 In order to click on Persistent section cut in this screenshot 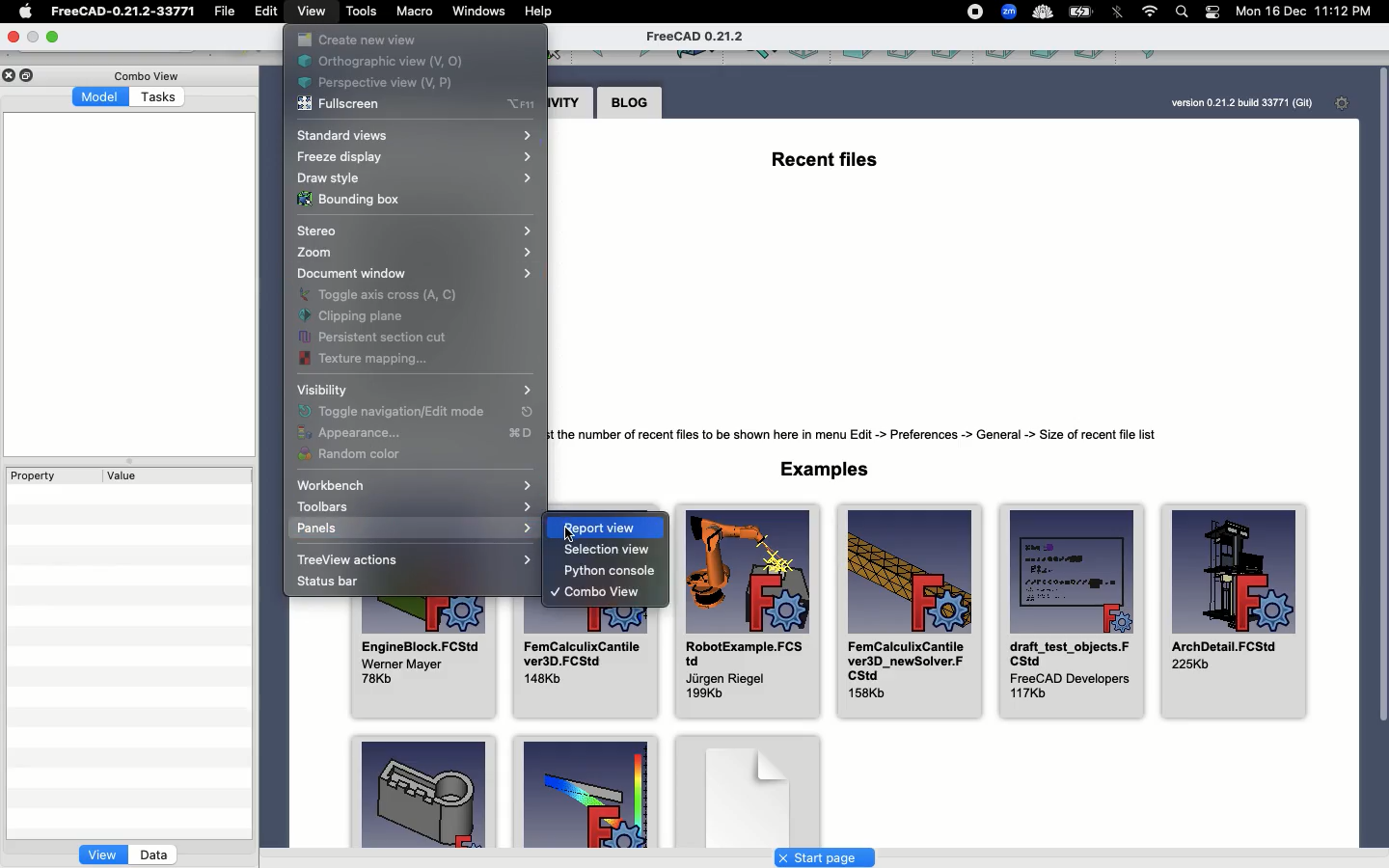, I will do `click(380, 335)`.